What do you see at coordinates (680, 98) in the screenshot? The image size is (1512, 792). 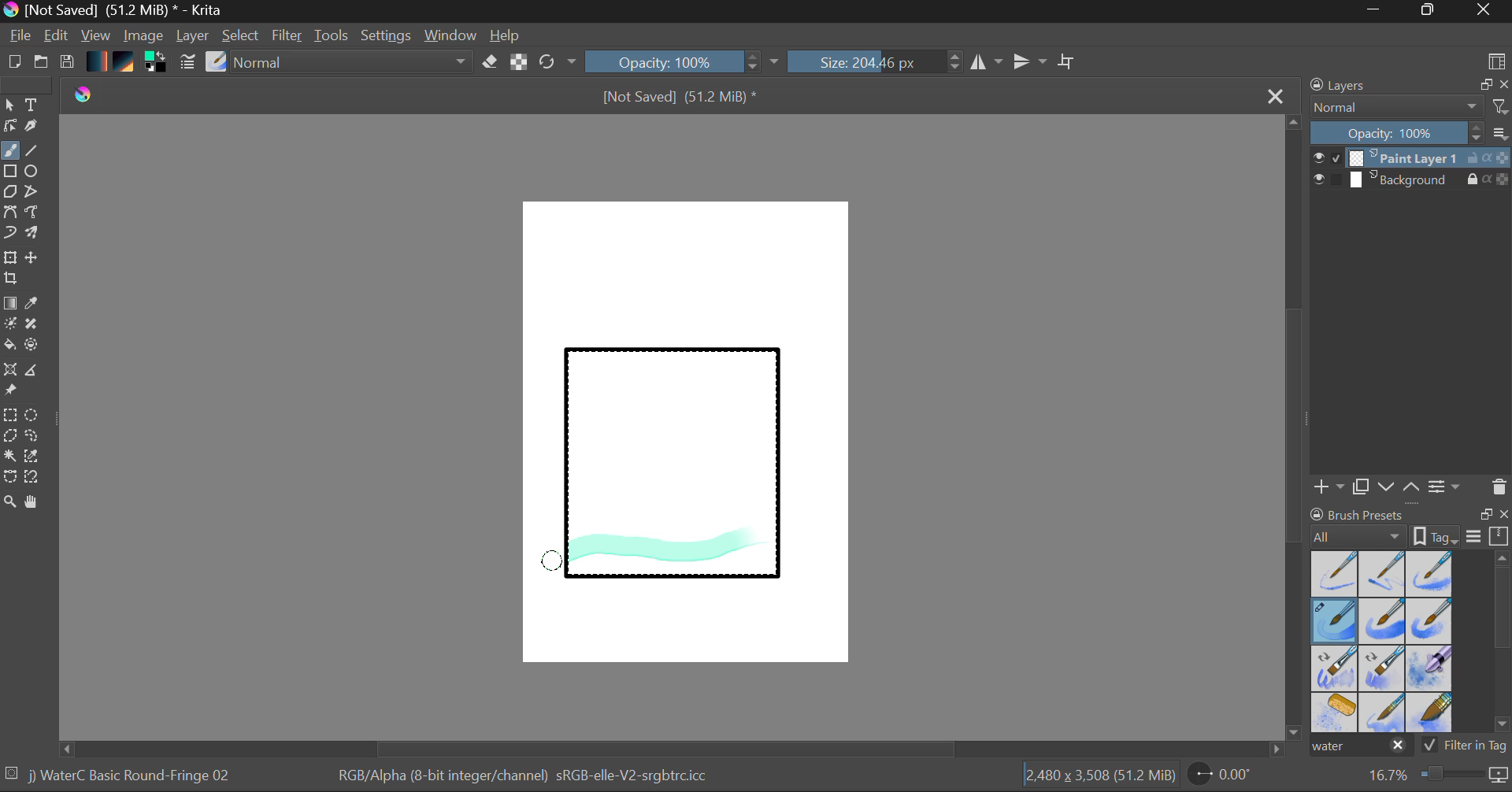 I see `File Name & Size` at bounding box center [680, 98].